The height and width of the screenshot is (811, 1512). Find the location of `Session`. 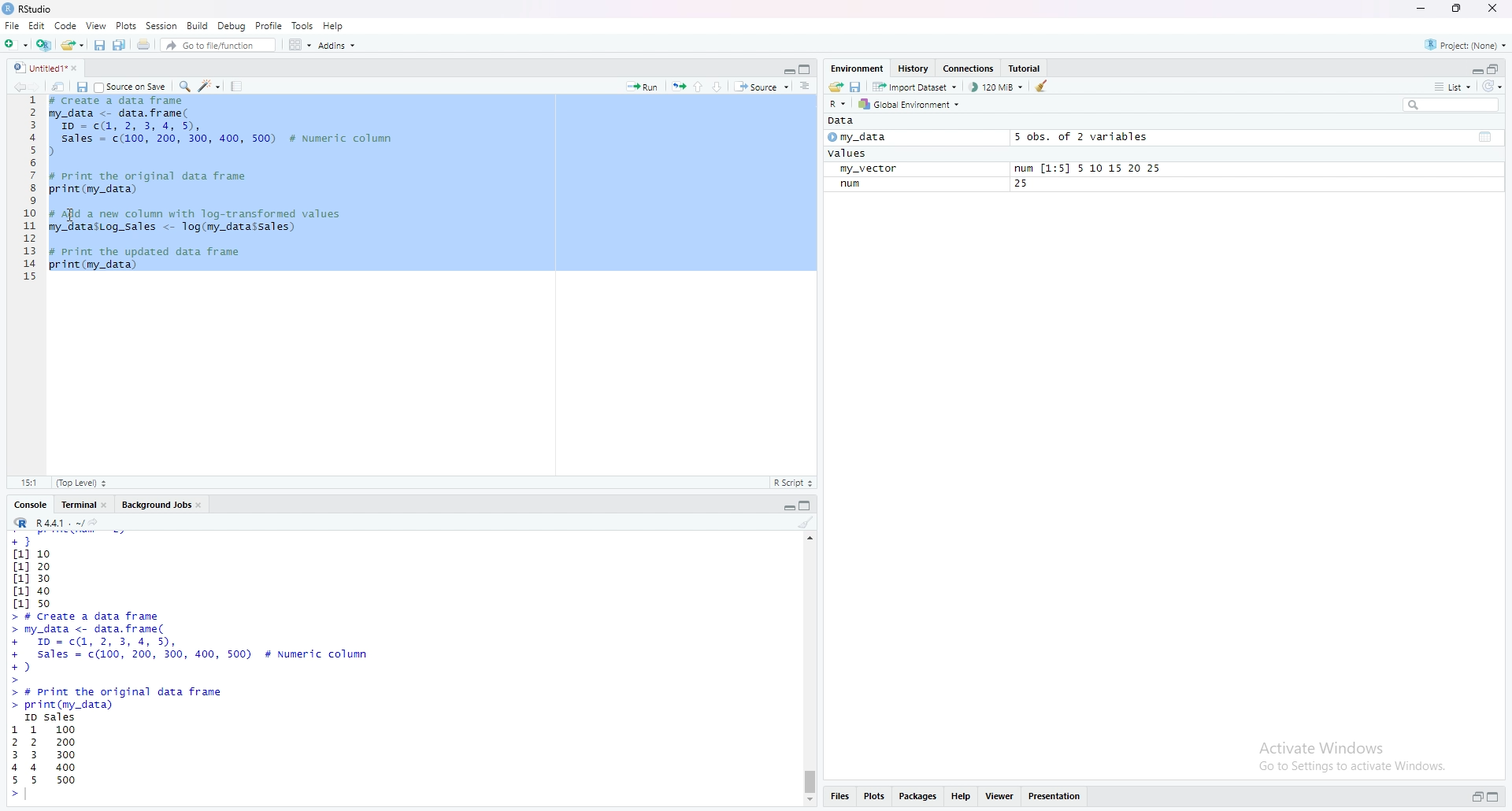

Session is located at coordinates (159, 25).